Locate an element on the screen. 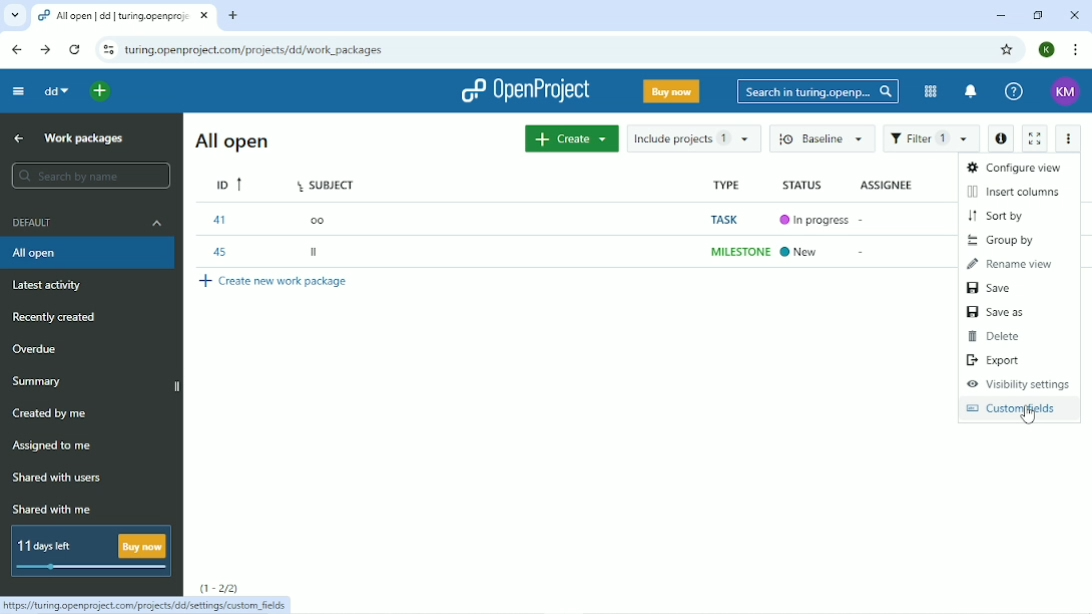  Created by me is located at coordinates (53, 414).